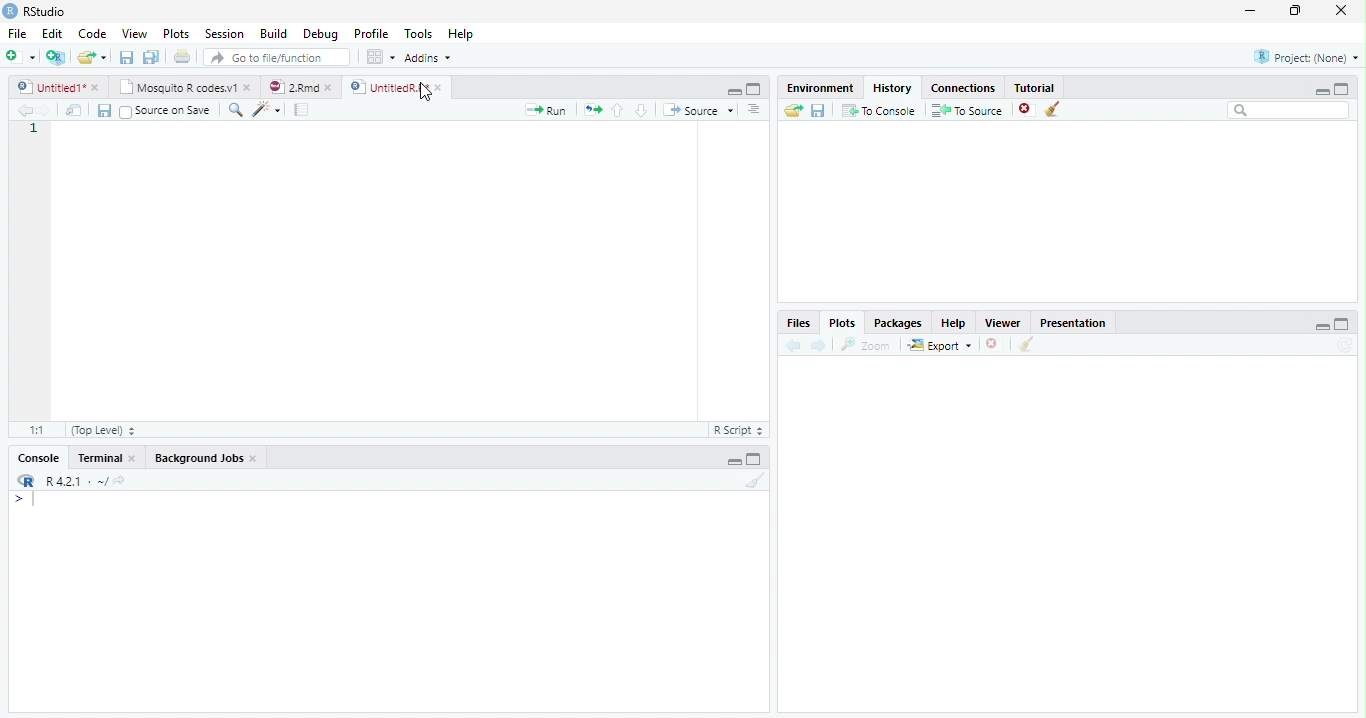  I want to click on Files, so click(797, 323).